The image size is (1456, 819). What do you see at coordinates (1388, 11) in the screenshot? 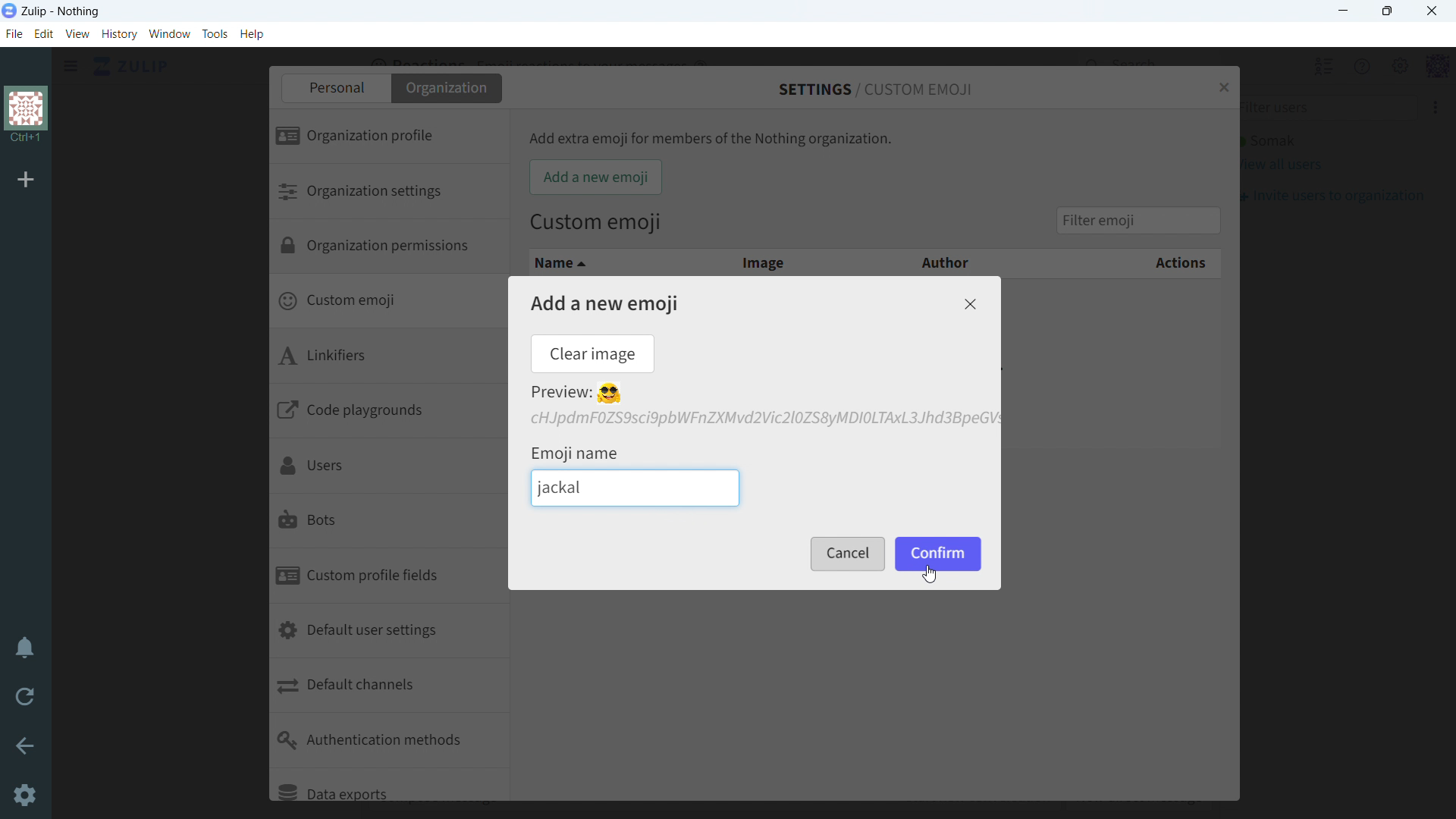
I see `maximize` at bounding box center [1388, 11].